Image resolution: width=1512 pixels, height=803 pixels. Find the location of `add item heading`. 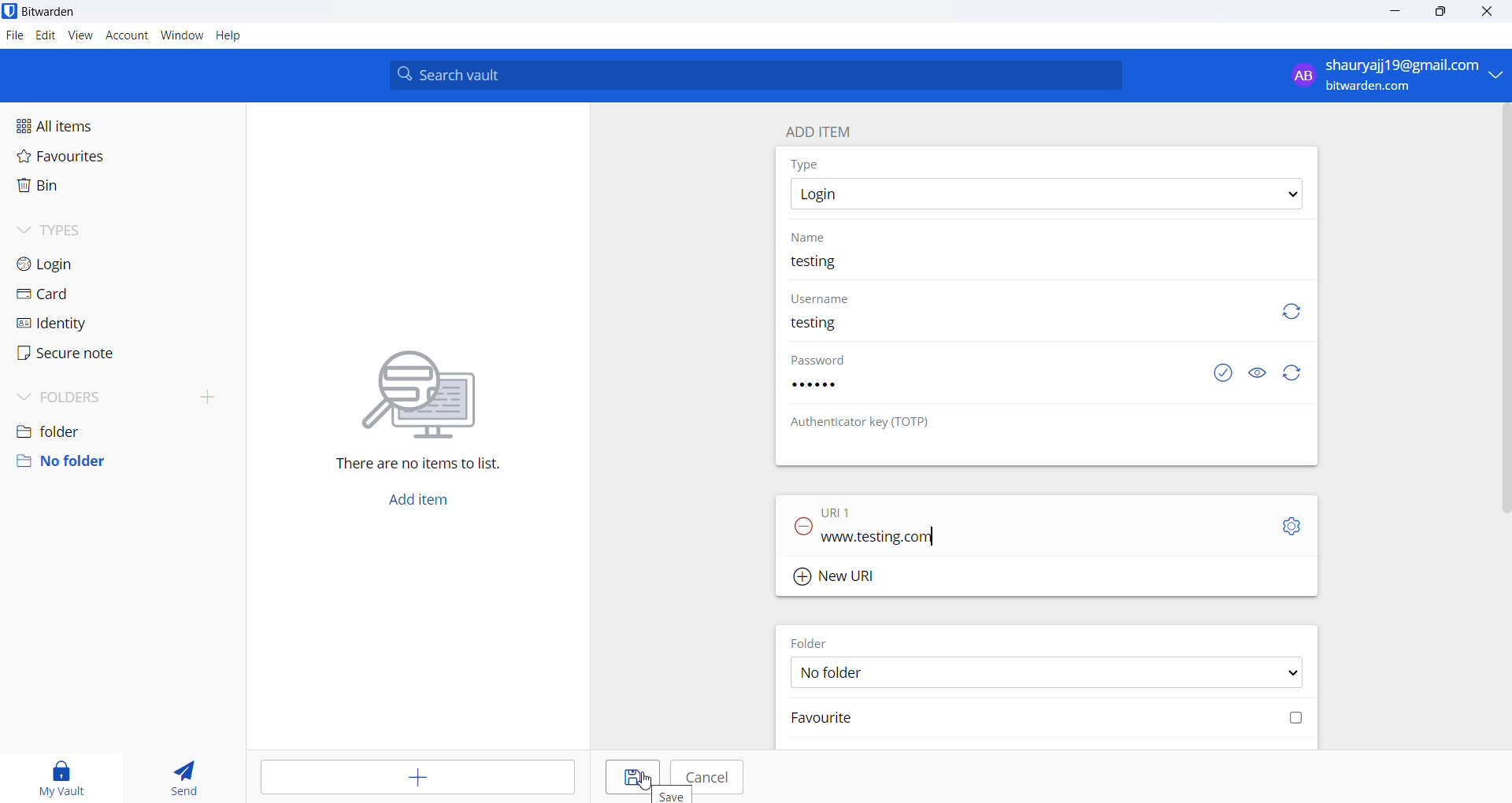

add item heading is located at coordinates (819, 128).